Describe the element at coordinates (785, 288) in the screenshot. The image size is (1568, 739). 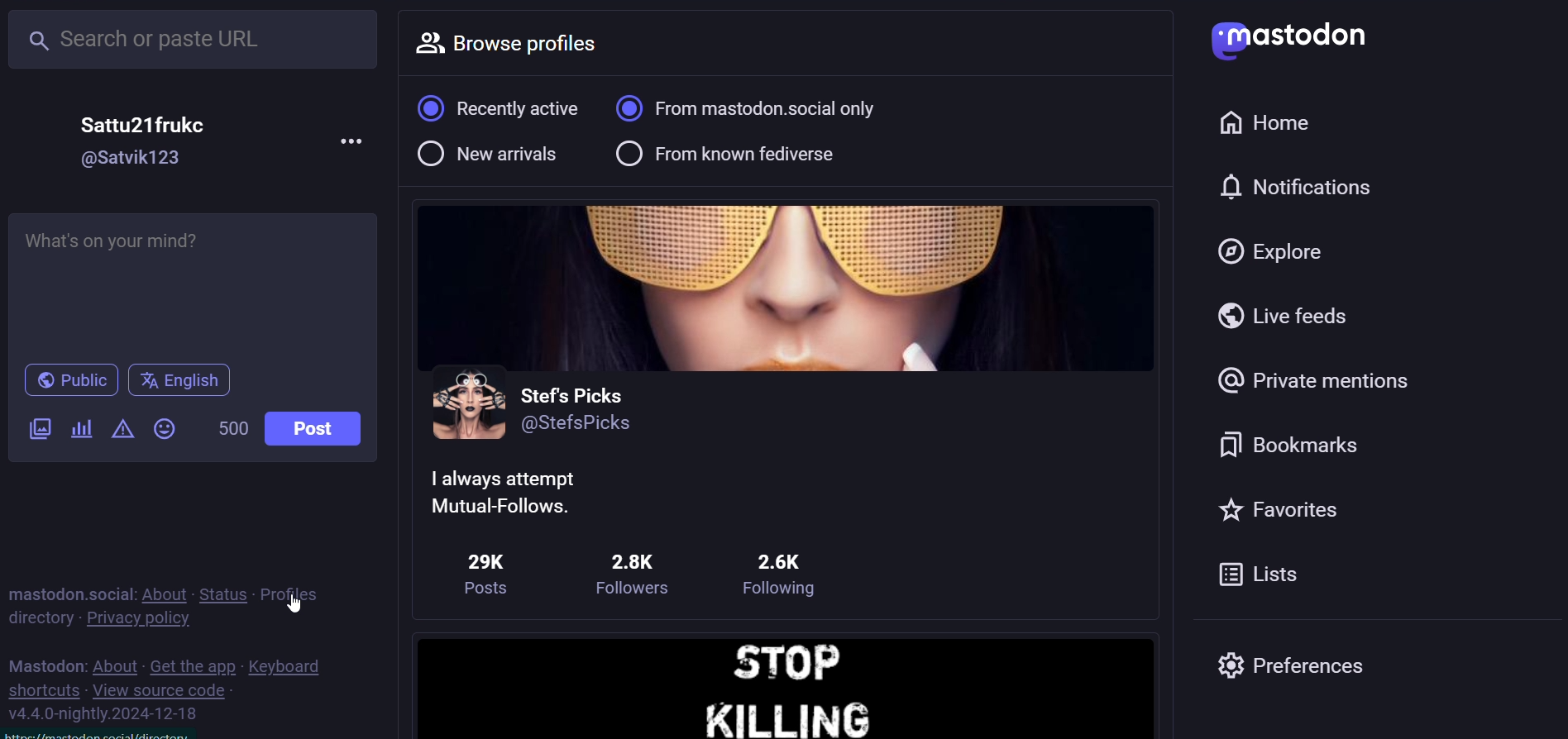
I see `image` at that location.